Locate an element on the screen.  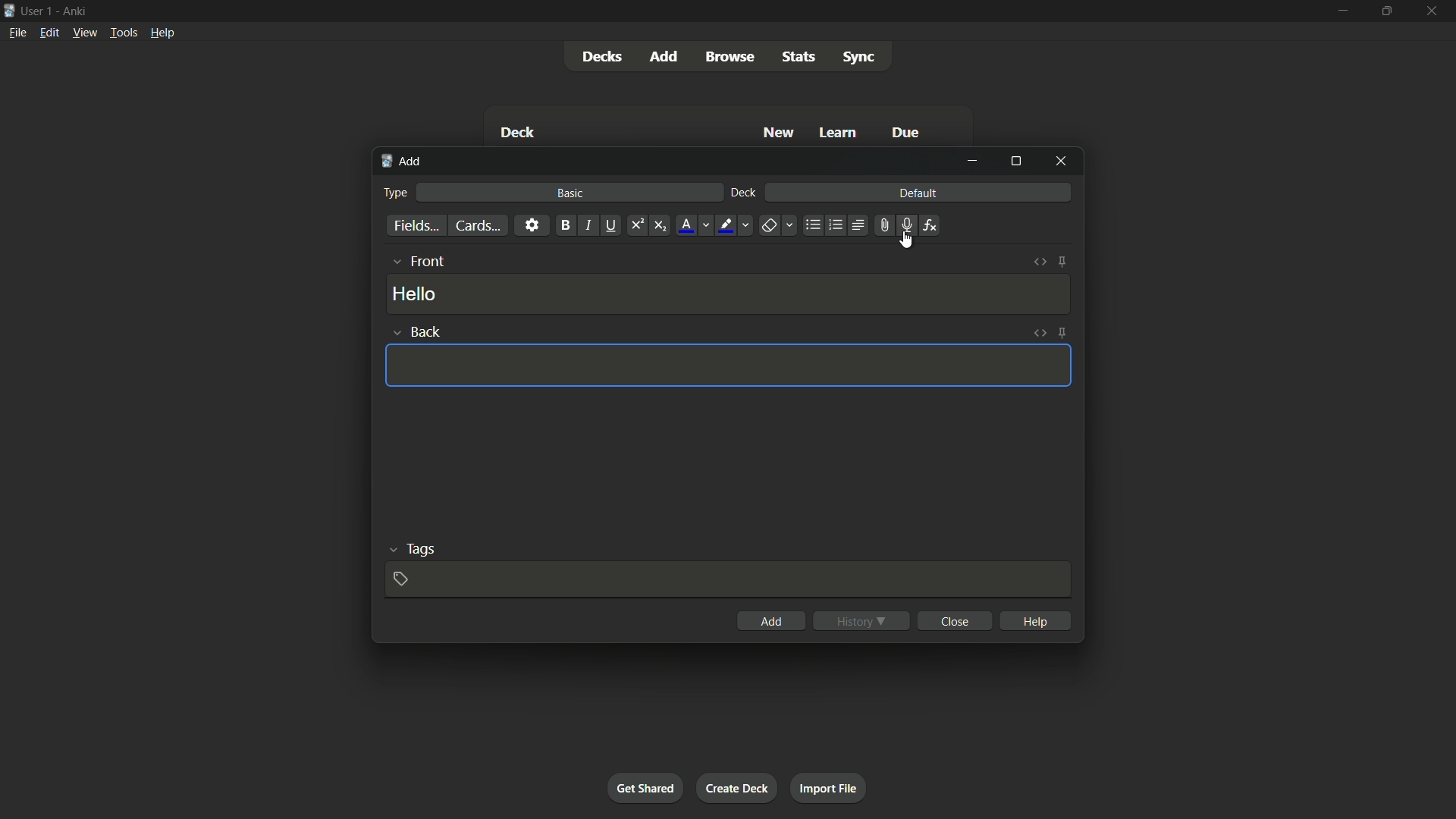
subscript is located at coordinates (660, 225).